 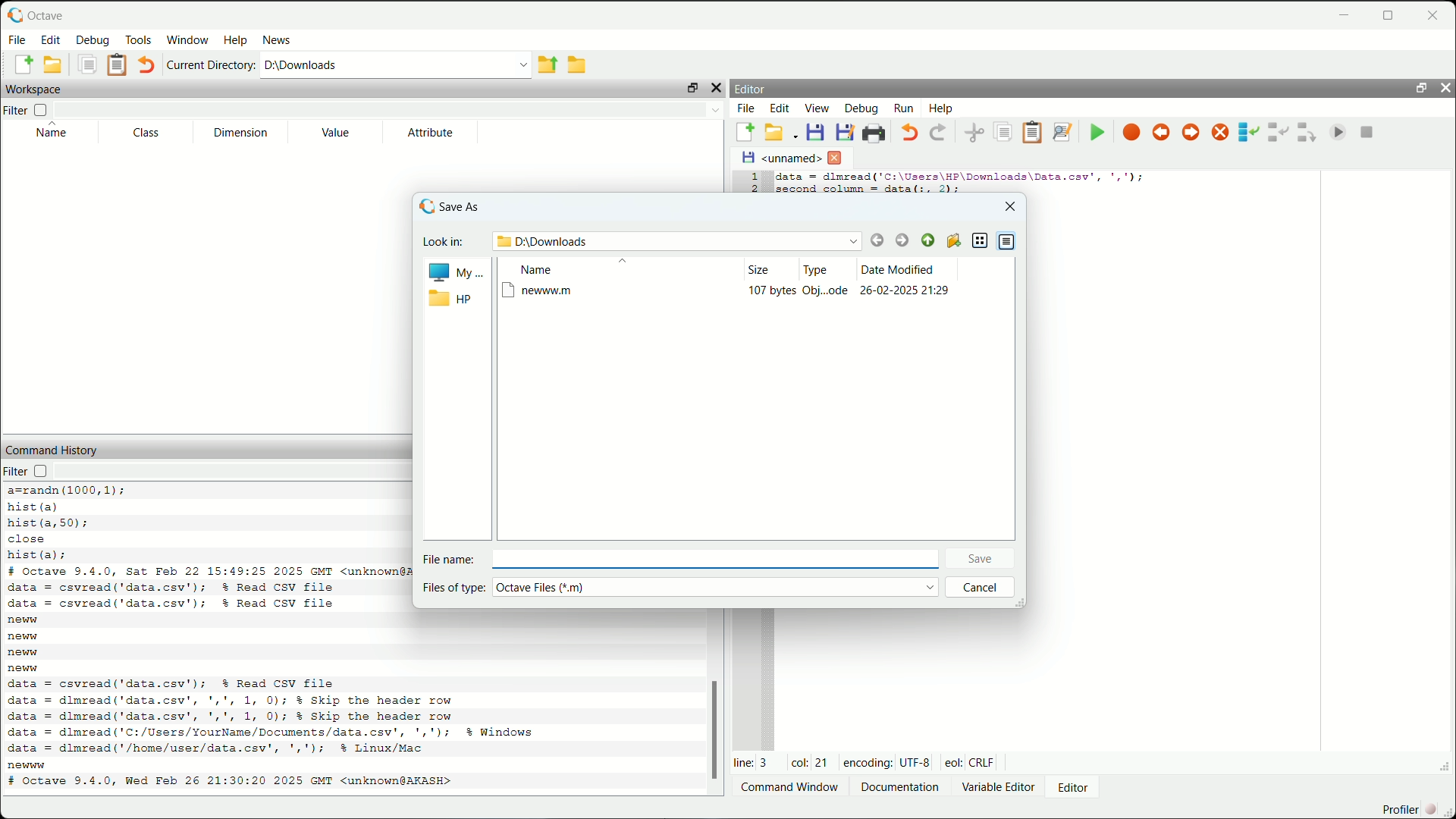 I want to click on open an existing file in editor, so click(x=56, y=64).